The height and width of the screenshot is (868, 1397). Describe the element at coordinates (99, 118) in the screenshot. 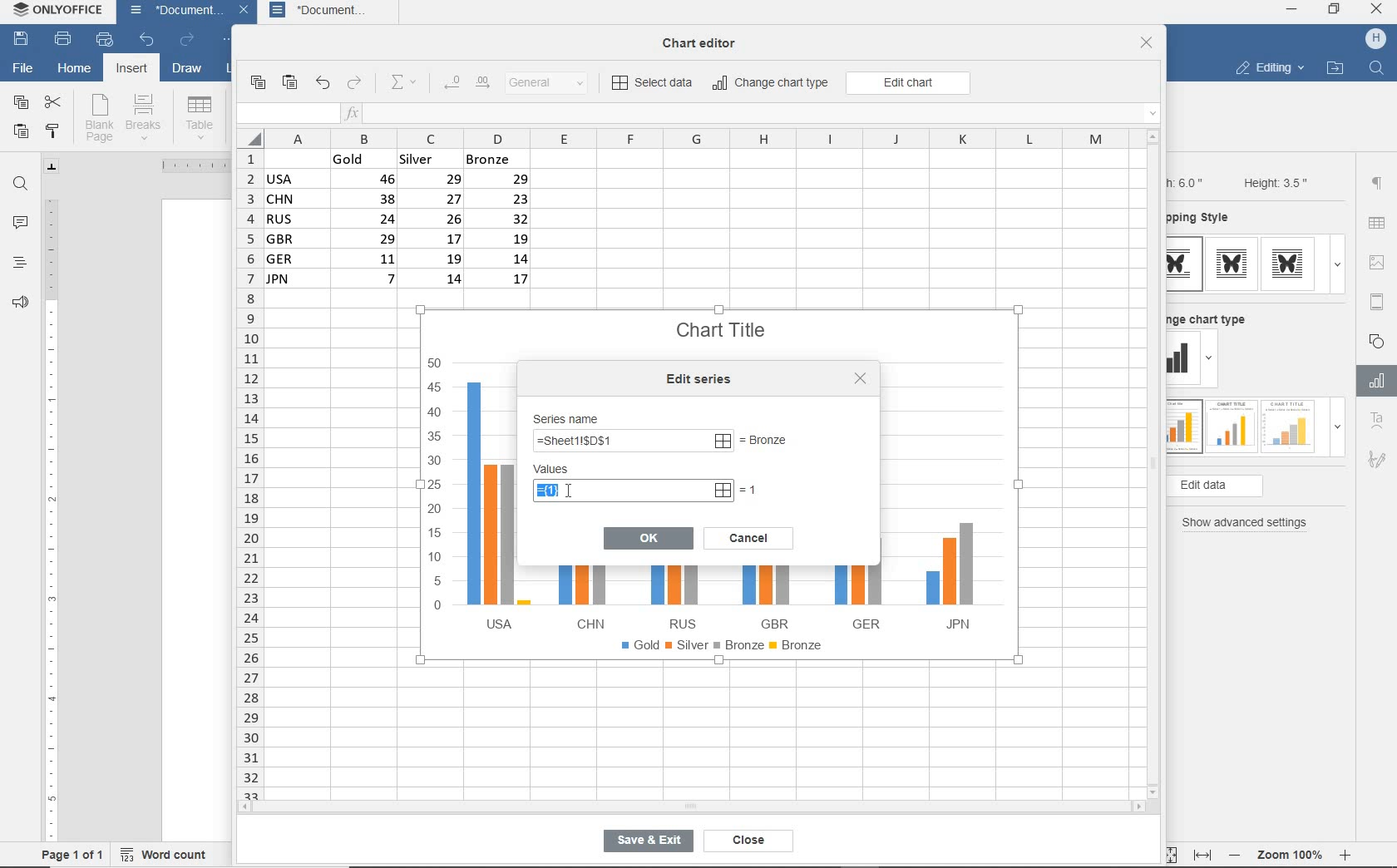

I see `blank page` at that location.